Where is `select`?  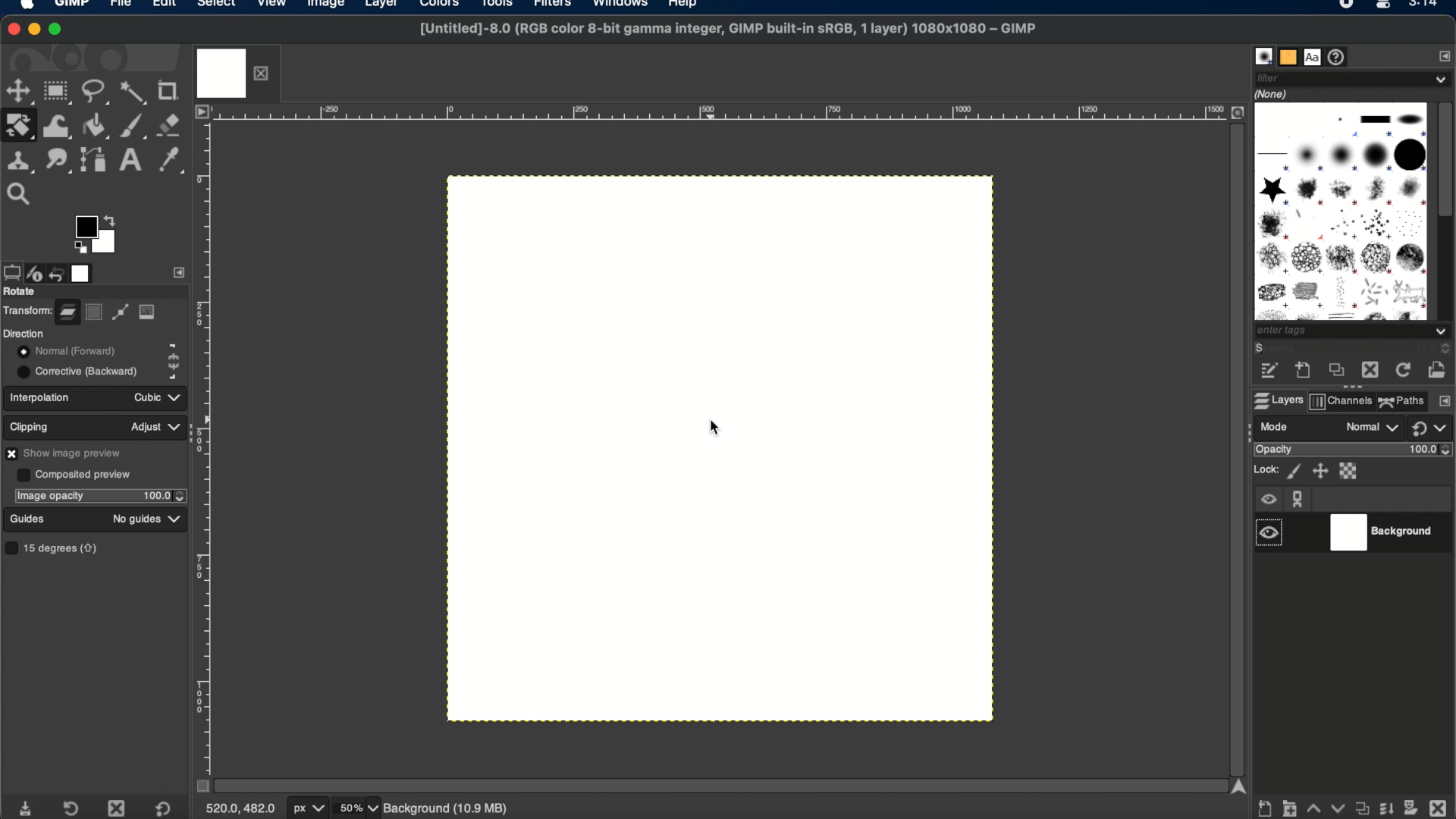
select is located at coordinates (216, 6).